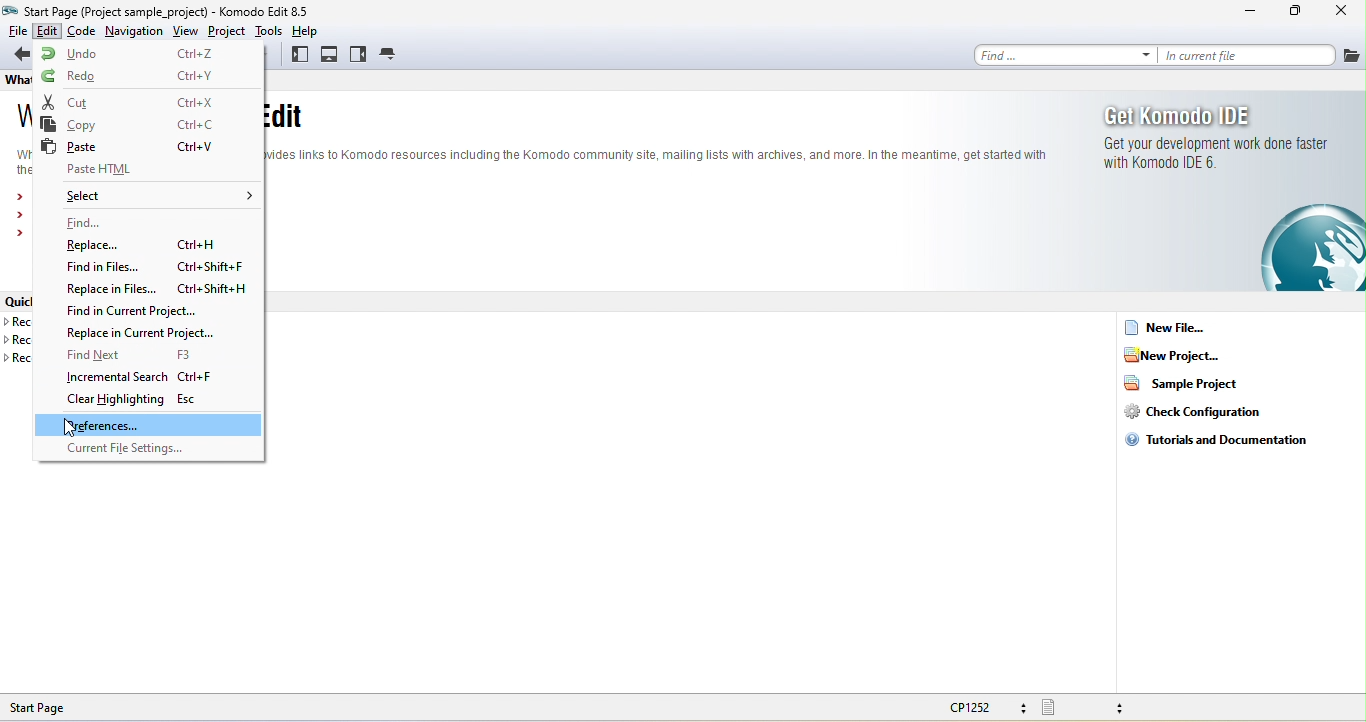 This screenshot has height=722, width=1366. Describe the element at coordinates (1191, 382) in the screenshot. I see `sample project` at that location.